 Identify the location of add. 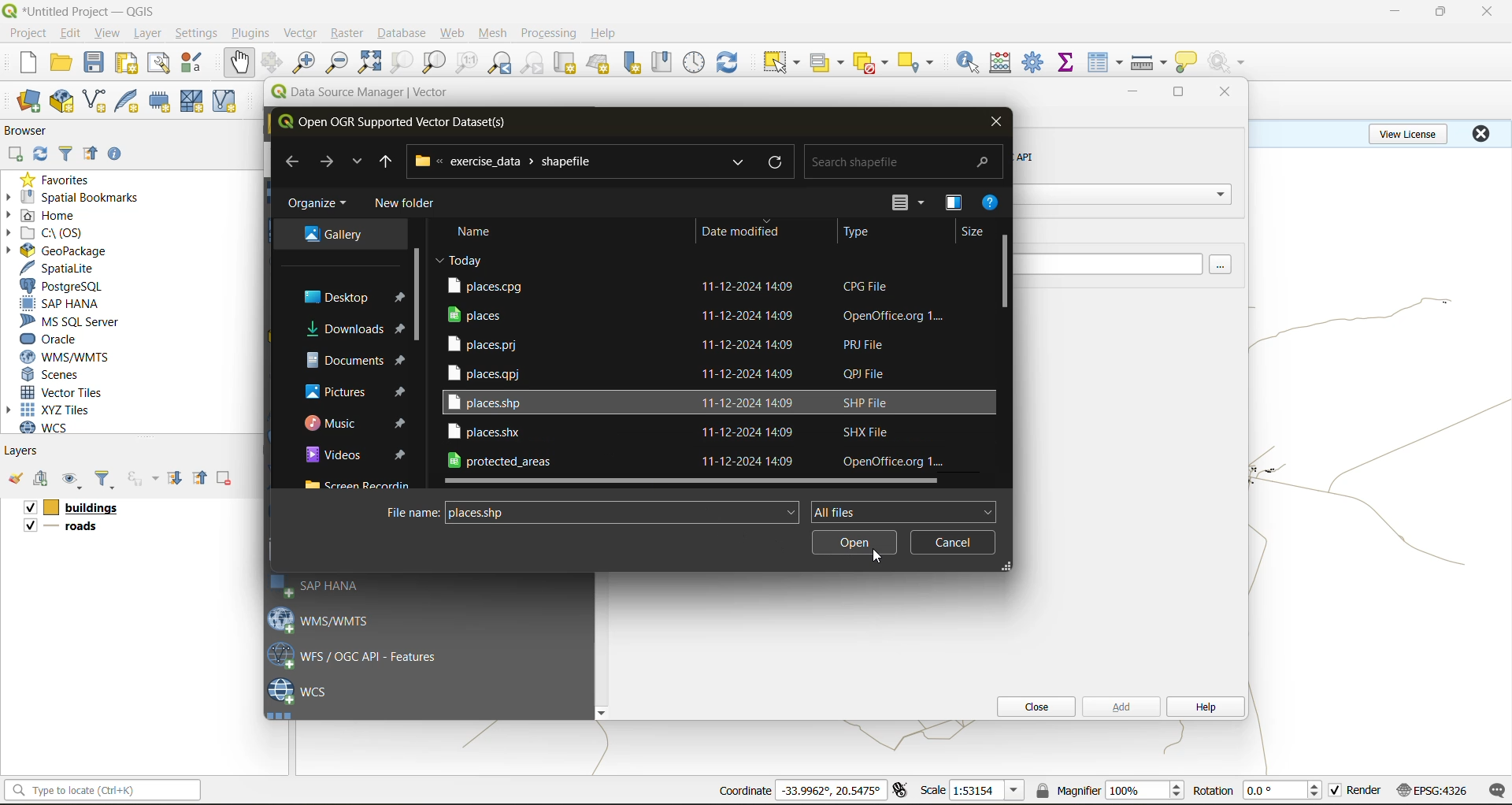
(43, 480).